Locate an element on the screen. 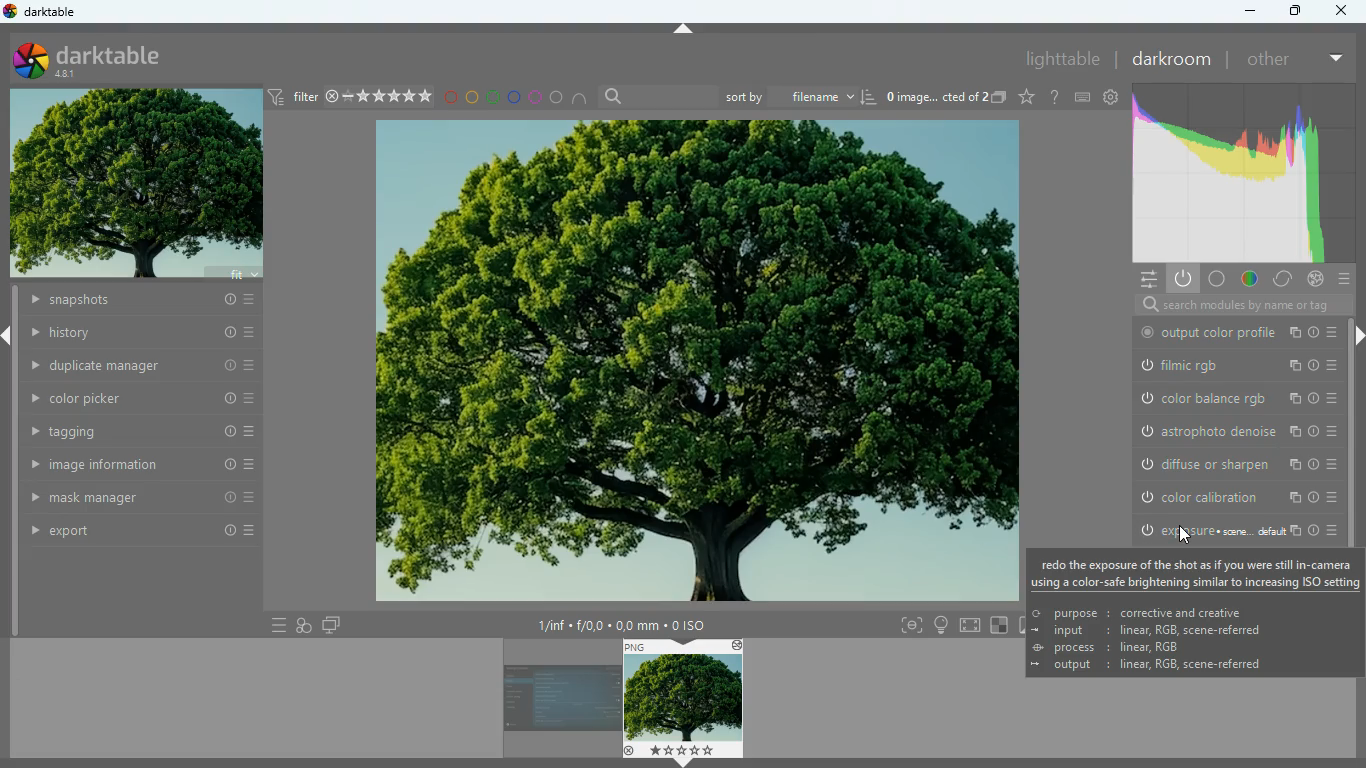  effects is located at coordinates (1316, 278).